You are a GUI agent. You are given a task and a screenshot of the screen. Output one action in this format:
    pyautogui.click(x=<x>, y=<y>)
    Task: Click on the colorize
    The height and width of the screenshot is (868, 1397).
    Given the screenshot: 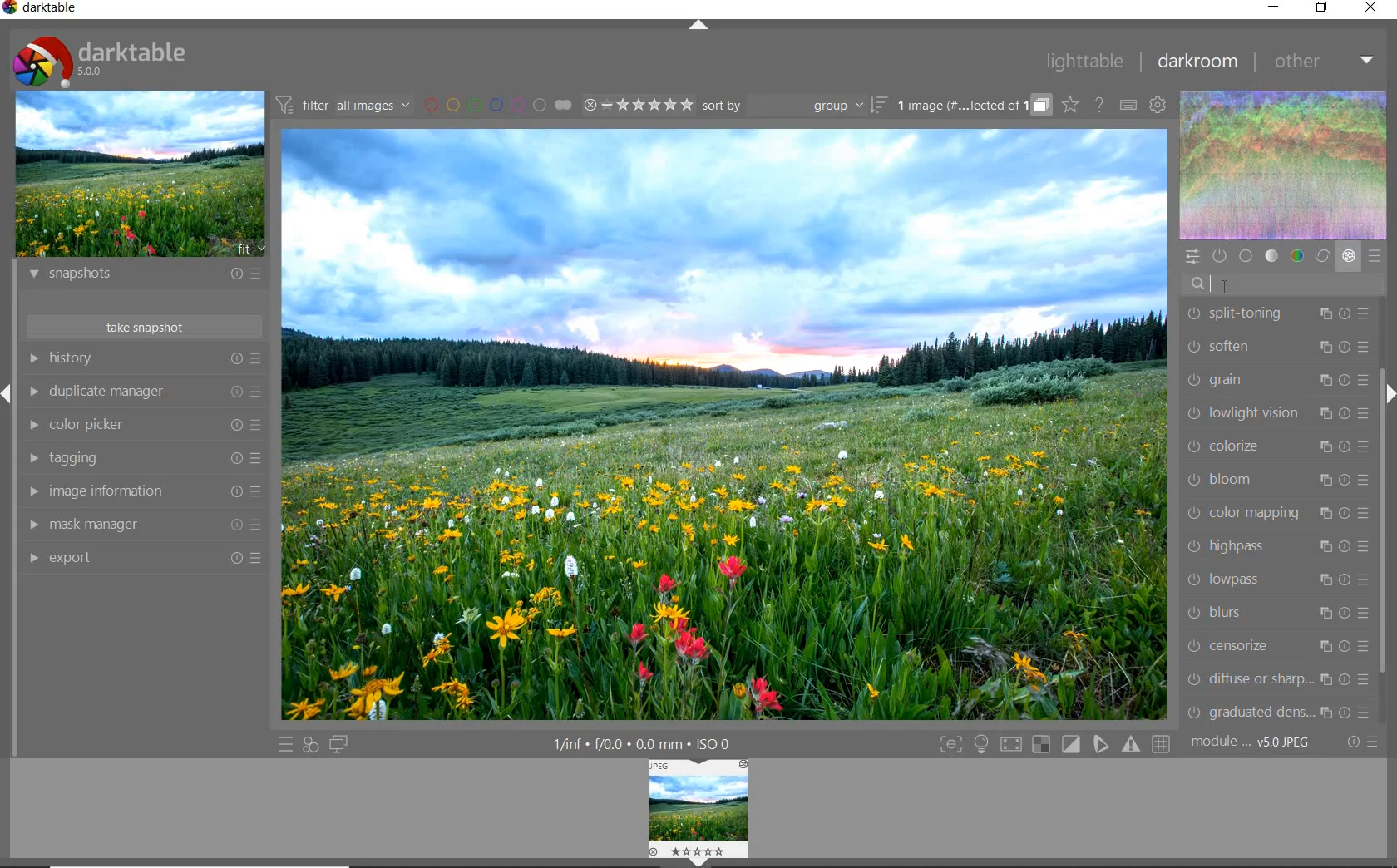 What is the action you would take?
    pyautogui.click(x=1277, y=445)
    